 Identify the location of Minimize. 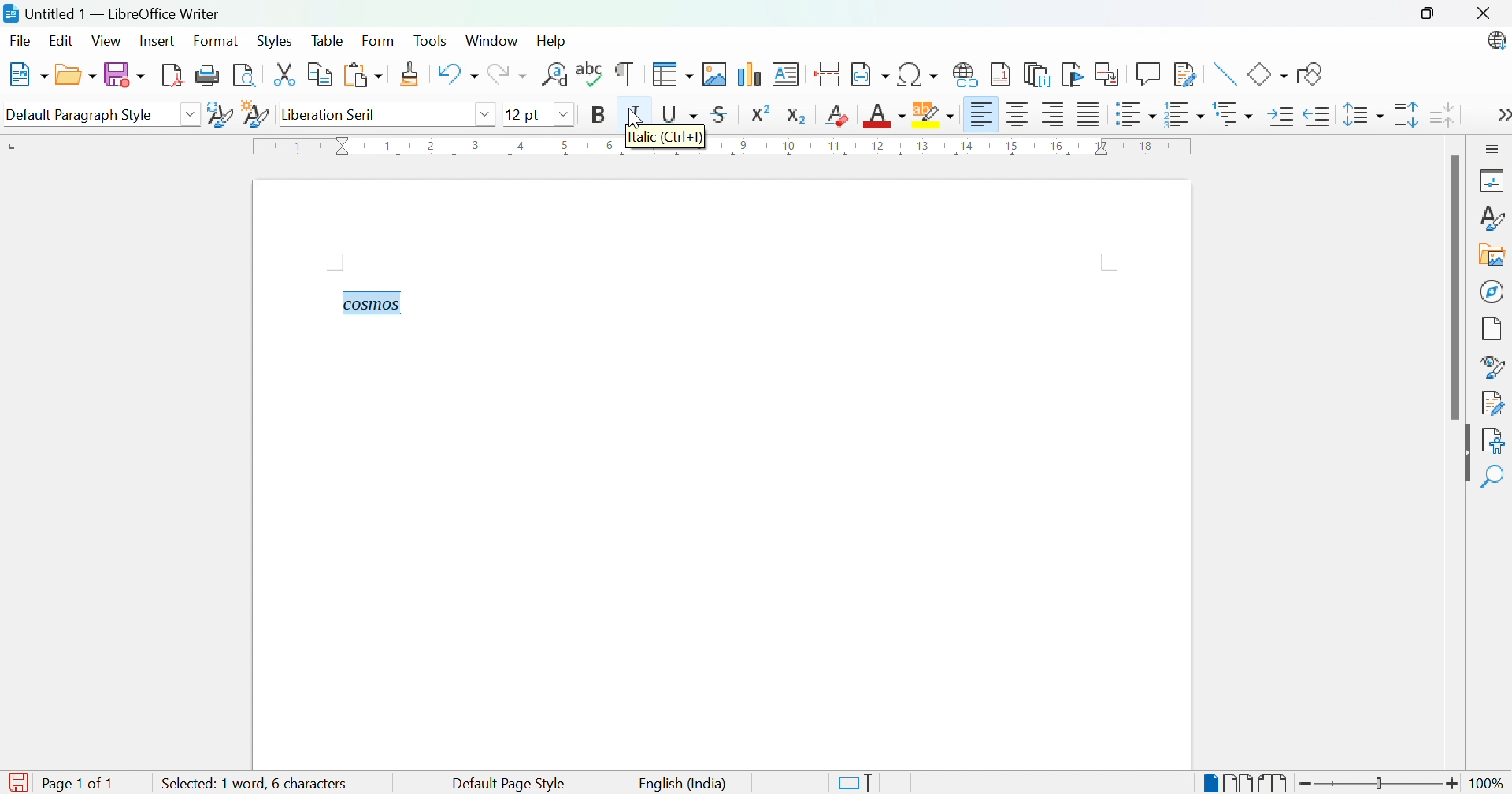
(1377, 16).